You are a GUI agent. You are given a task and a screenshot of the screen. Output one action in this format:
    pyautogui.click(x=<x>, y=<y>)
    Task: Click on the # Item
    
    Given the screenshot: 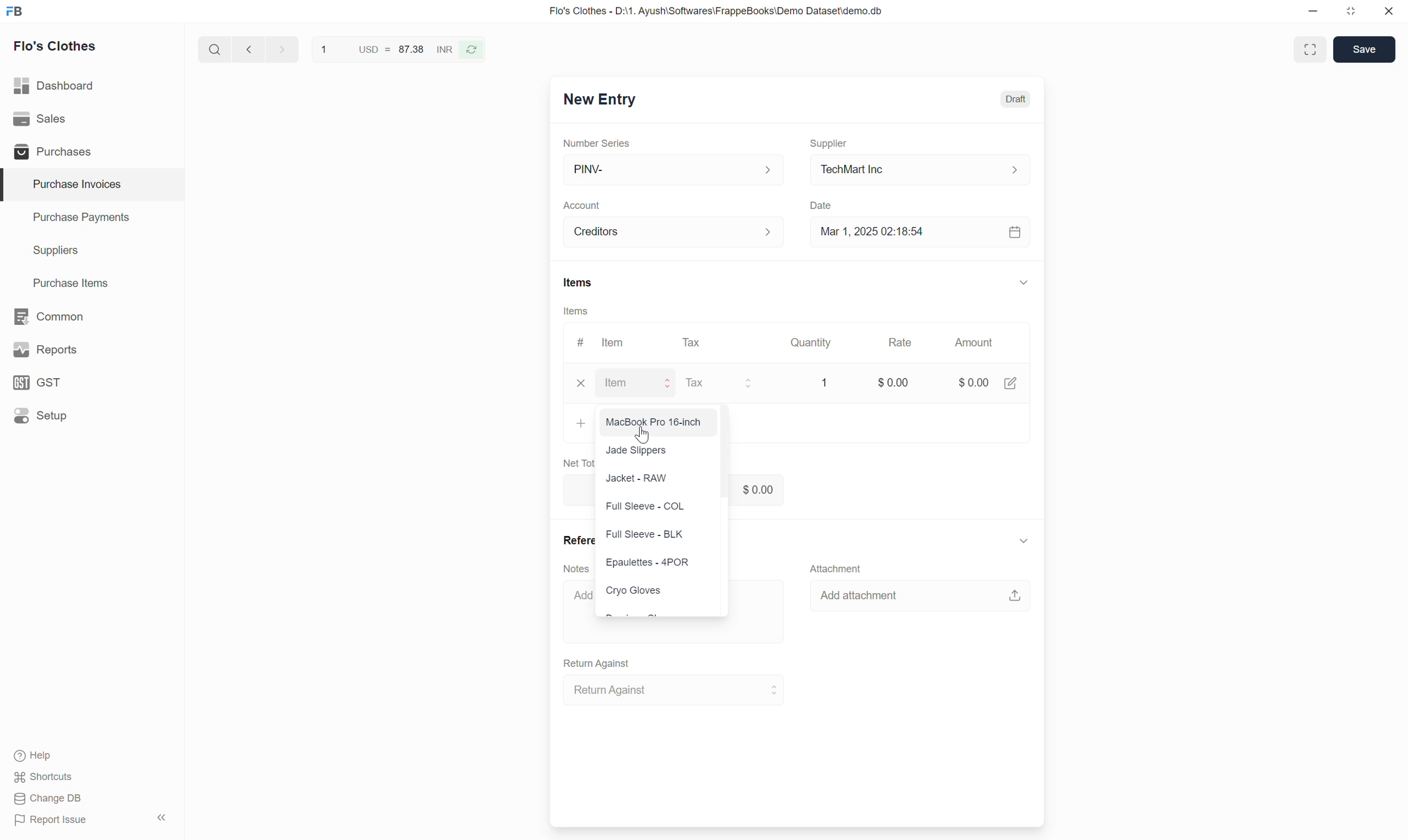 What is the action you would take?
    pyautogui.click(x=602, y=342)
    